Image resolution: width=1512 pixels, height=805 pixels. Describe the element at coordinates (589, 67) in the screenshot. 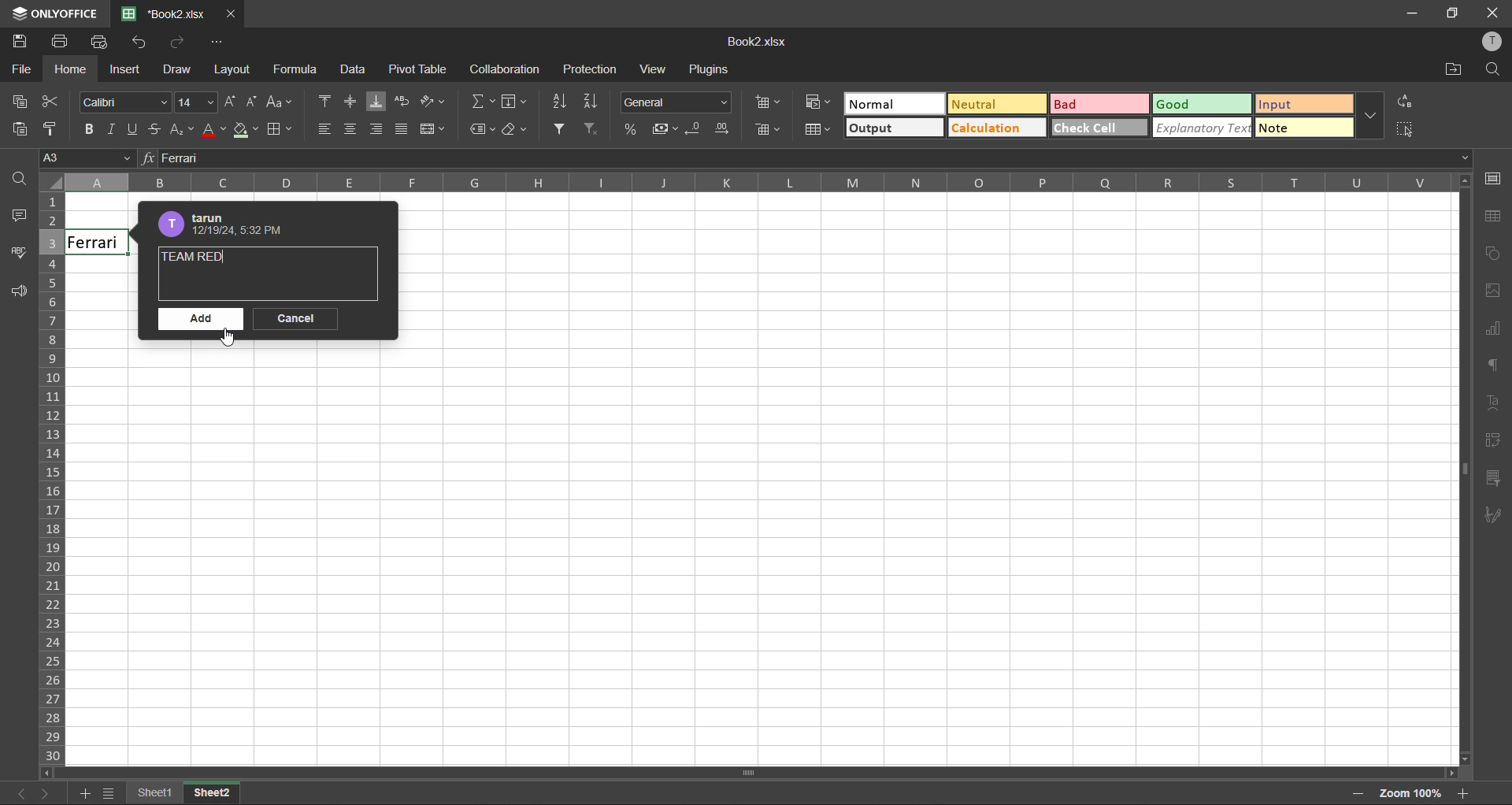

I see `protection` at that location.